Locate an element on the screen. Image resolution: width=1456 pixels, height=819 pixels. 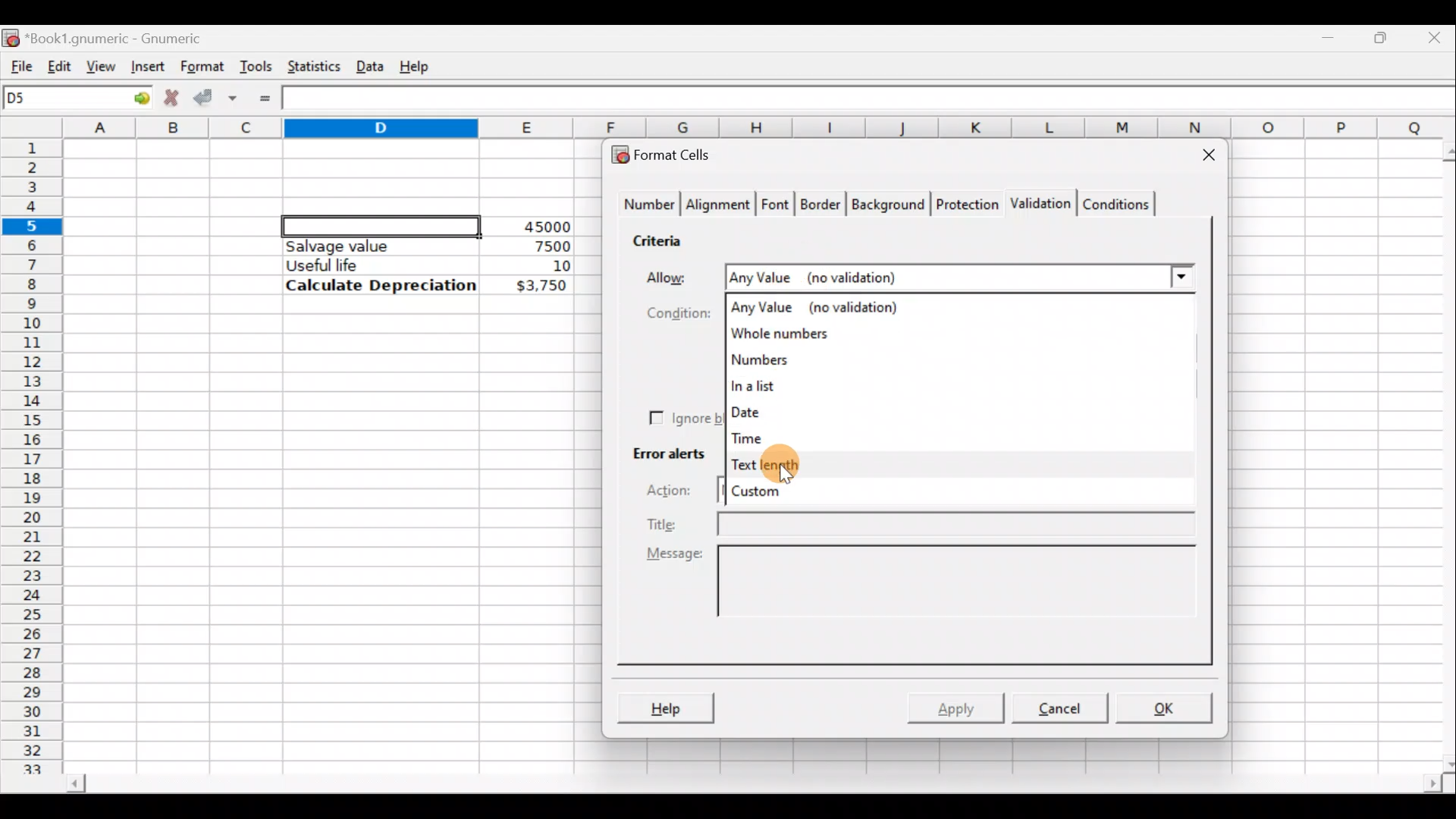
Calculate Depreciation is located at coordinates (381, 284).